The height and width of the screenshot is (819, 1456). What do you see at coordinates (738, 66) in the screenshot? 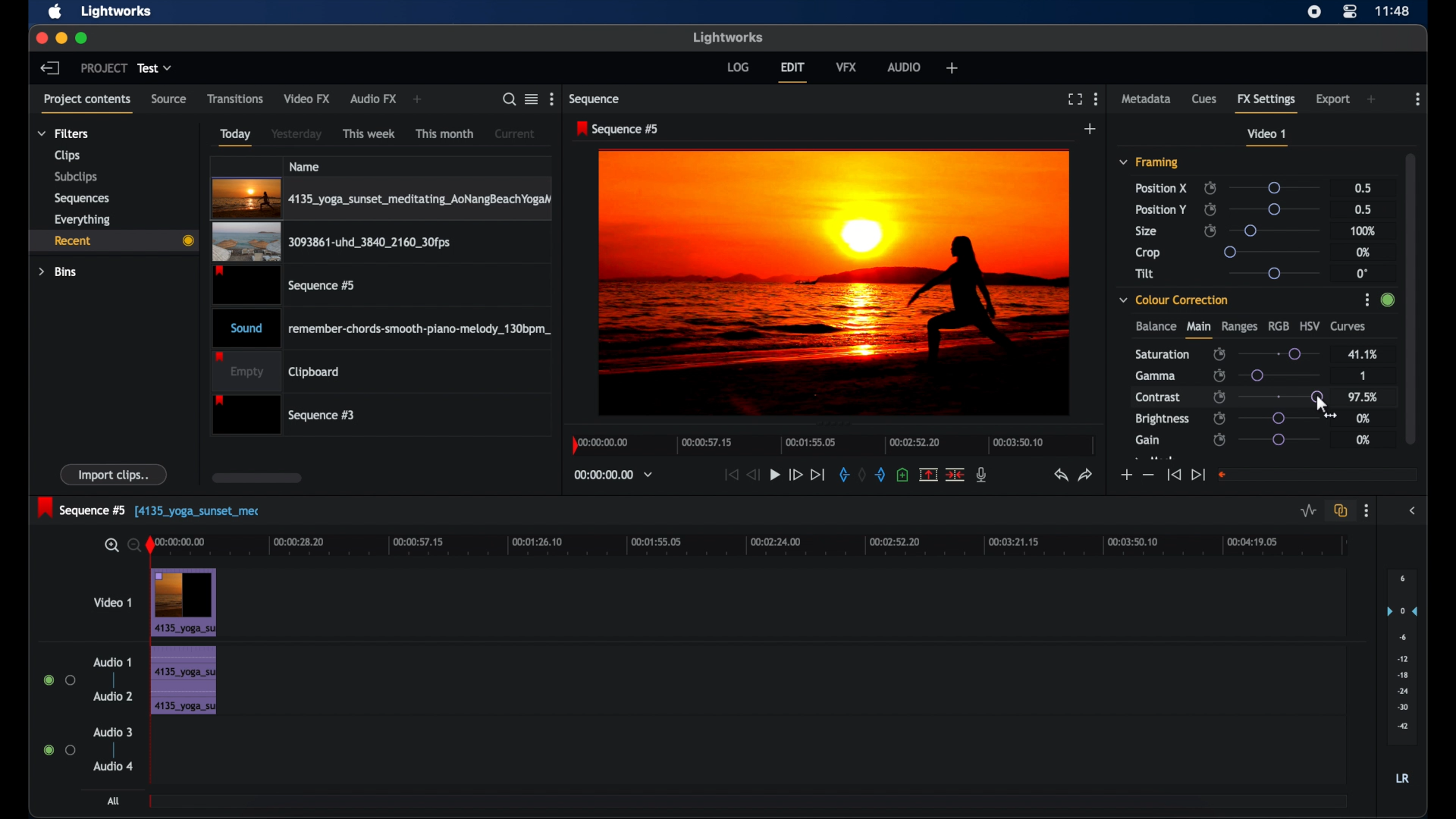
I see `log` at bounding box center [738, 66].